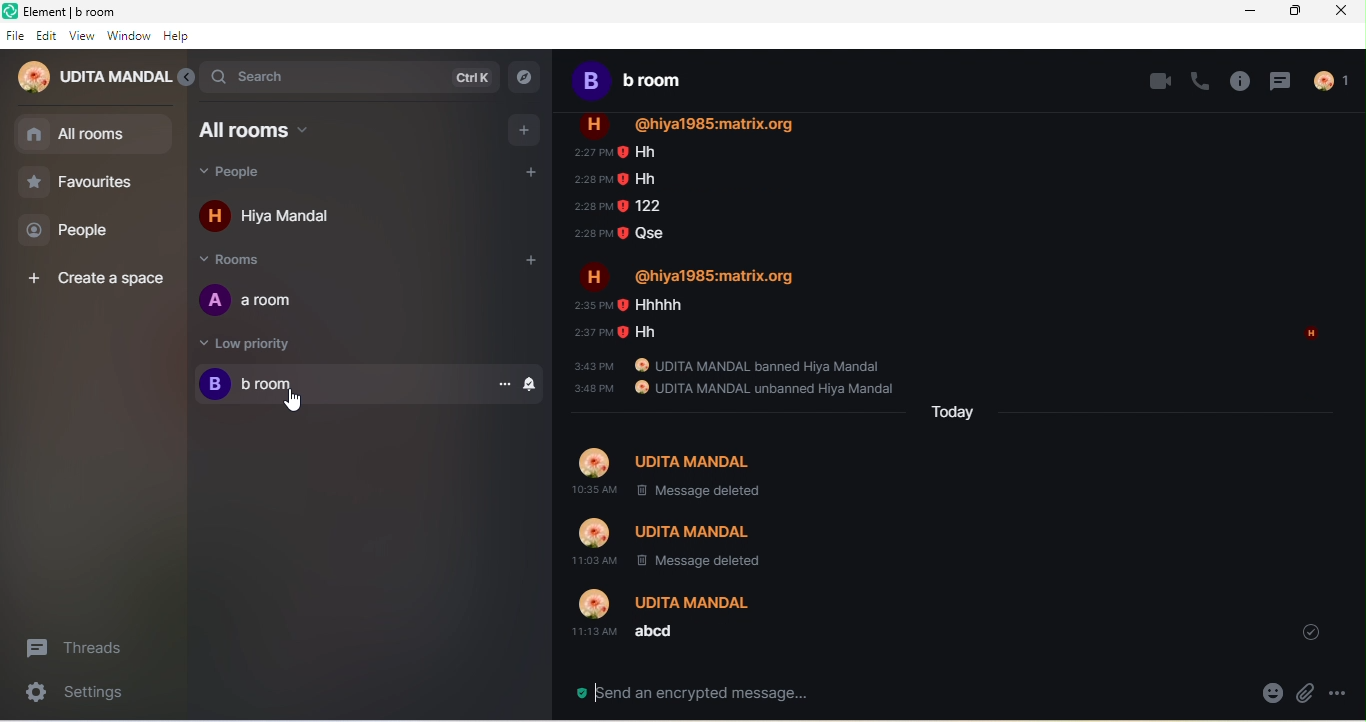 This screenshot has height=722, width=1366. What do you see at coordinates (93, 77) in the screenshot?
I see `udita mandal` at bounding box center [93, 77].